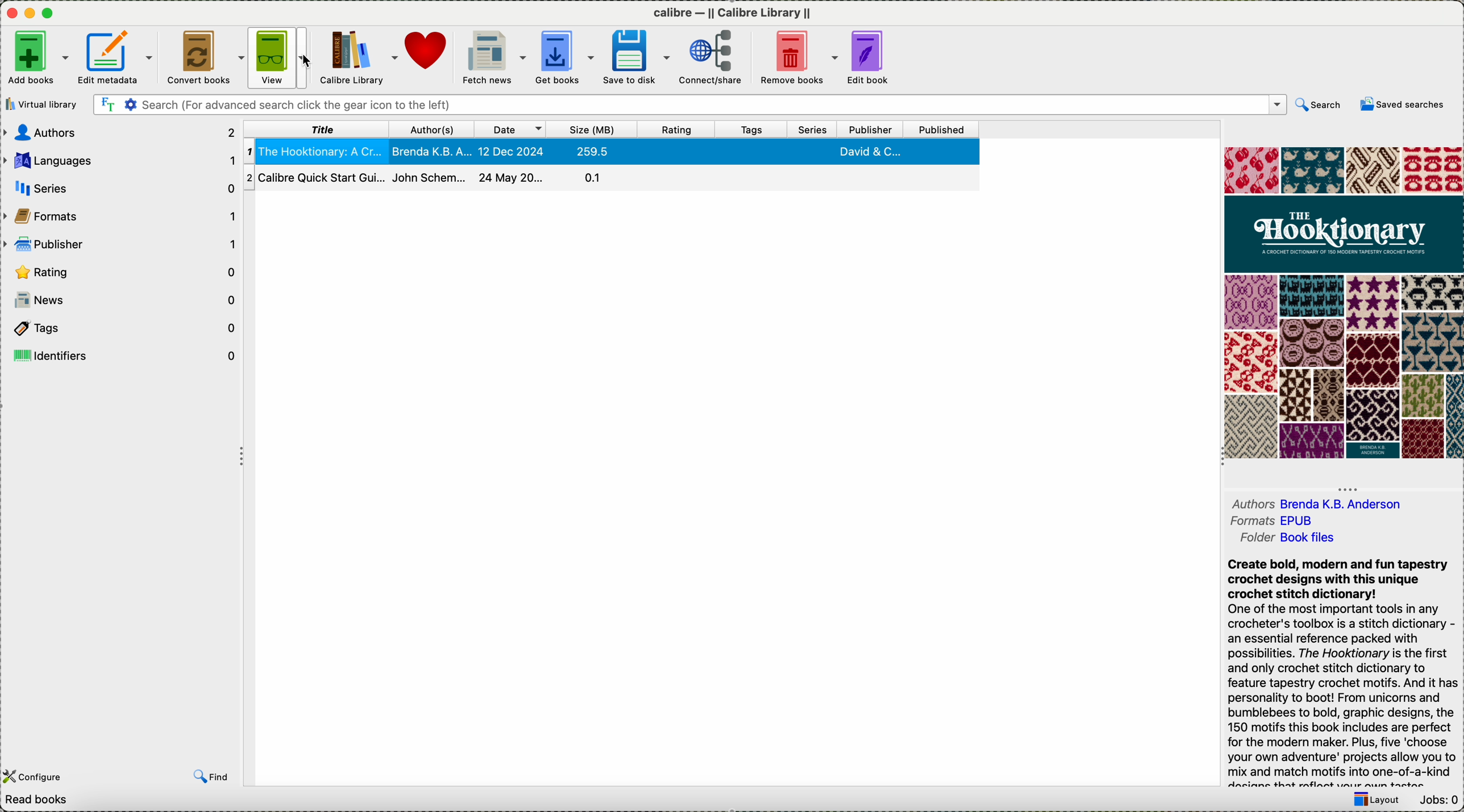 The height and width of the screenshot is (812, 1464). I want to click on date, so click(510, 129).